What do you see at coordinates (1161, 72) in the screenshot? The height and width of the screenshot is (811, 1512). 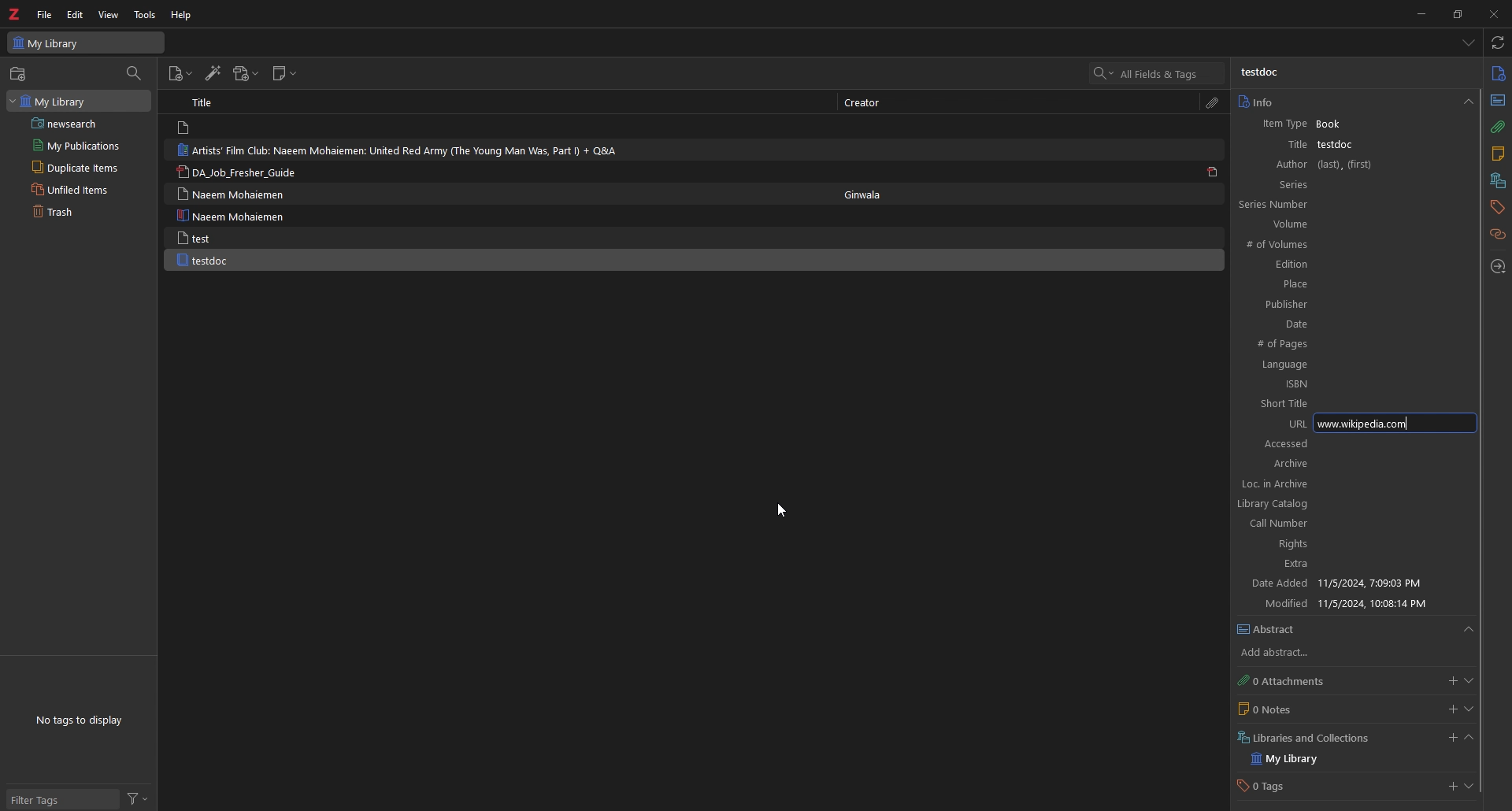 I see `search` at bounding box center [1161, 72].